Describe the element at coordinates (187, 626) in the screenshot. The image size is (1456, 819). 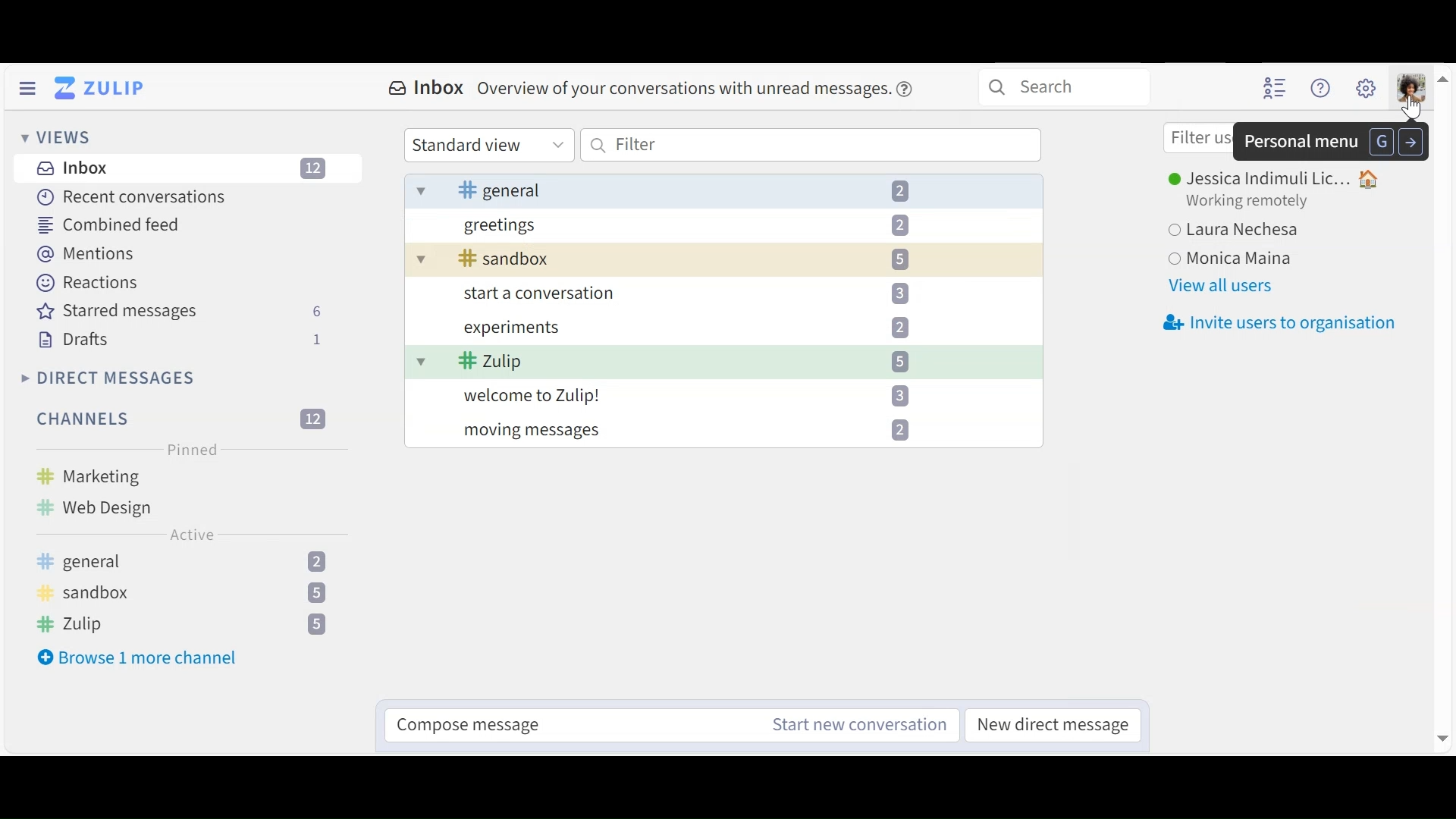
I see `# Zulip` at that location.